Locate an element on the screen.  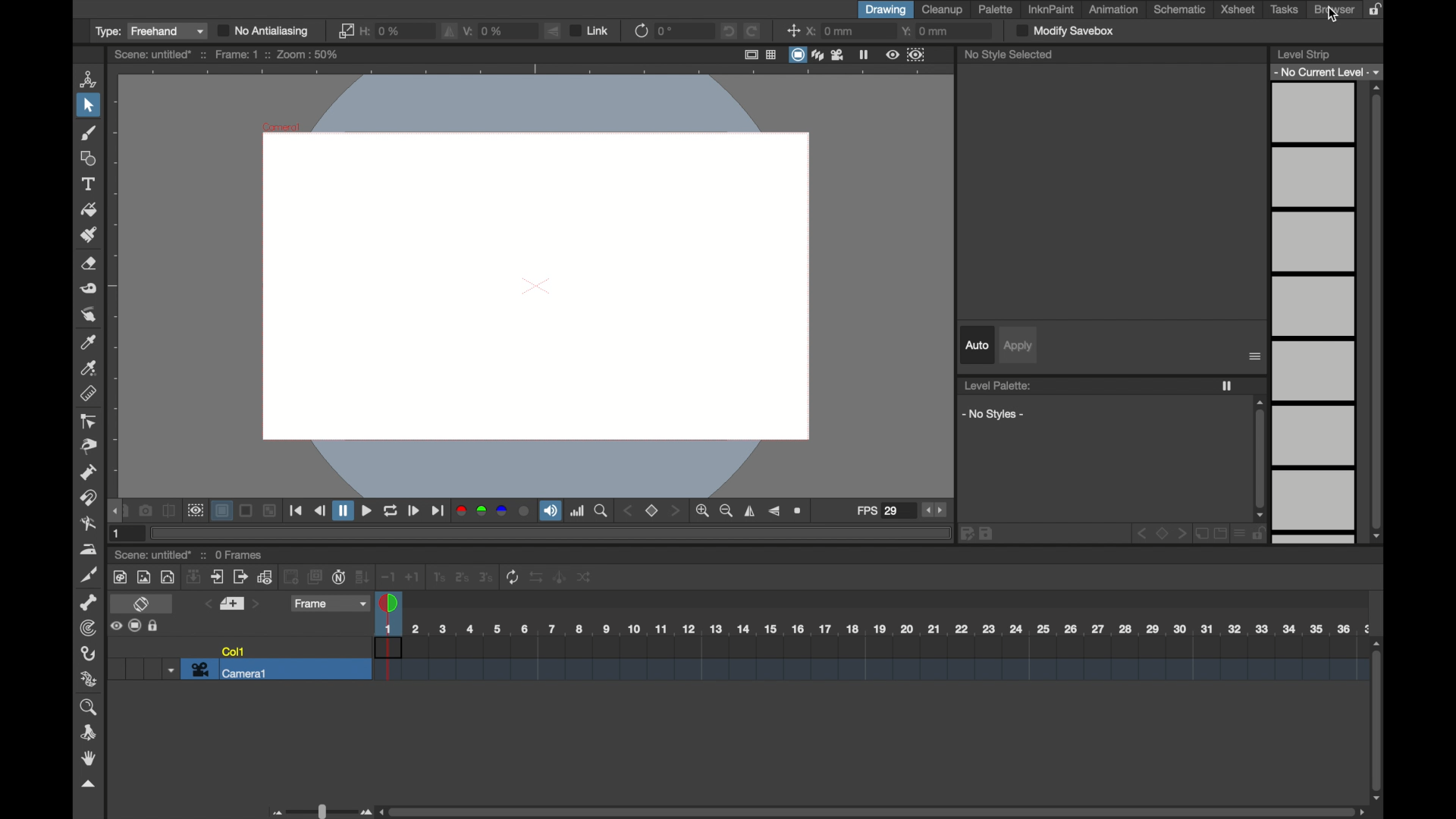
change is located at coordinates (588, 577).